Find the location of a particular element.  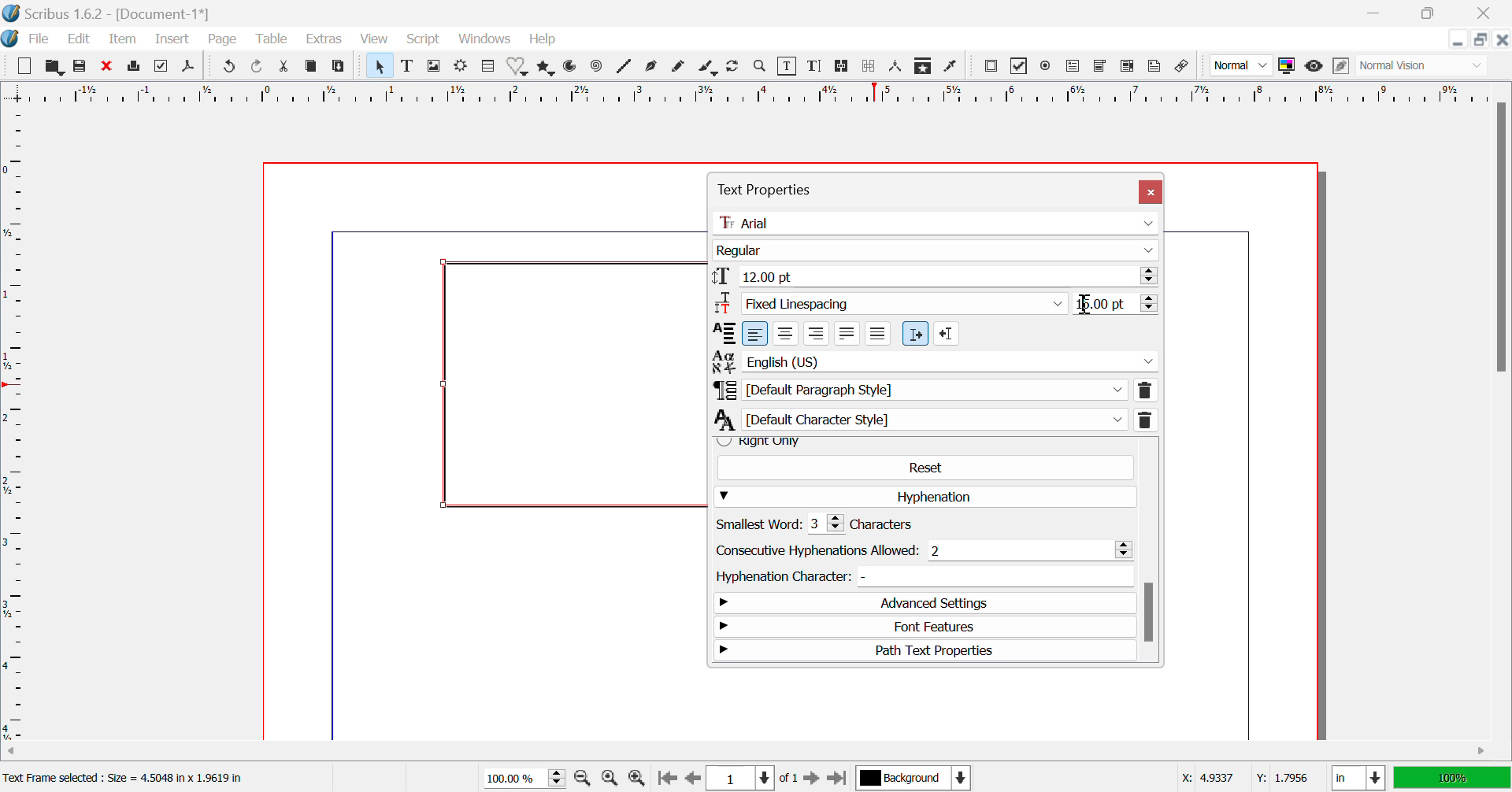

Open is located at coordinates (54, 66).